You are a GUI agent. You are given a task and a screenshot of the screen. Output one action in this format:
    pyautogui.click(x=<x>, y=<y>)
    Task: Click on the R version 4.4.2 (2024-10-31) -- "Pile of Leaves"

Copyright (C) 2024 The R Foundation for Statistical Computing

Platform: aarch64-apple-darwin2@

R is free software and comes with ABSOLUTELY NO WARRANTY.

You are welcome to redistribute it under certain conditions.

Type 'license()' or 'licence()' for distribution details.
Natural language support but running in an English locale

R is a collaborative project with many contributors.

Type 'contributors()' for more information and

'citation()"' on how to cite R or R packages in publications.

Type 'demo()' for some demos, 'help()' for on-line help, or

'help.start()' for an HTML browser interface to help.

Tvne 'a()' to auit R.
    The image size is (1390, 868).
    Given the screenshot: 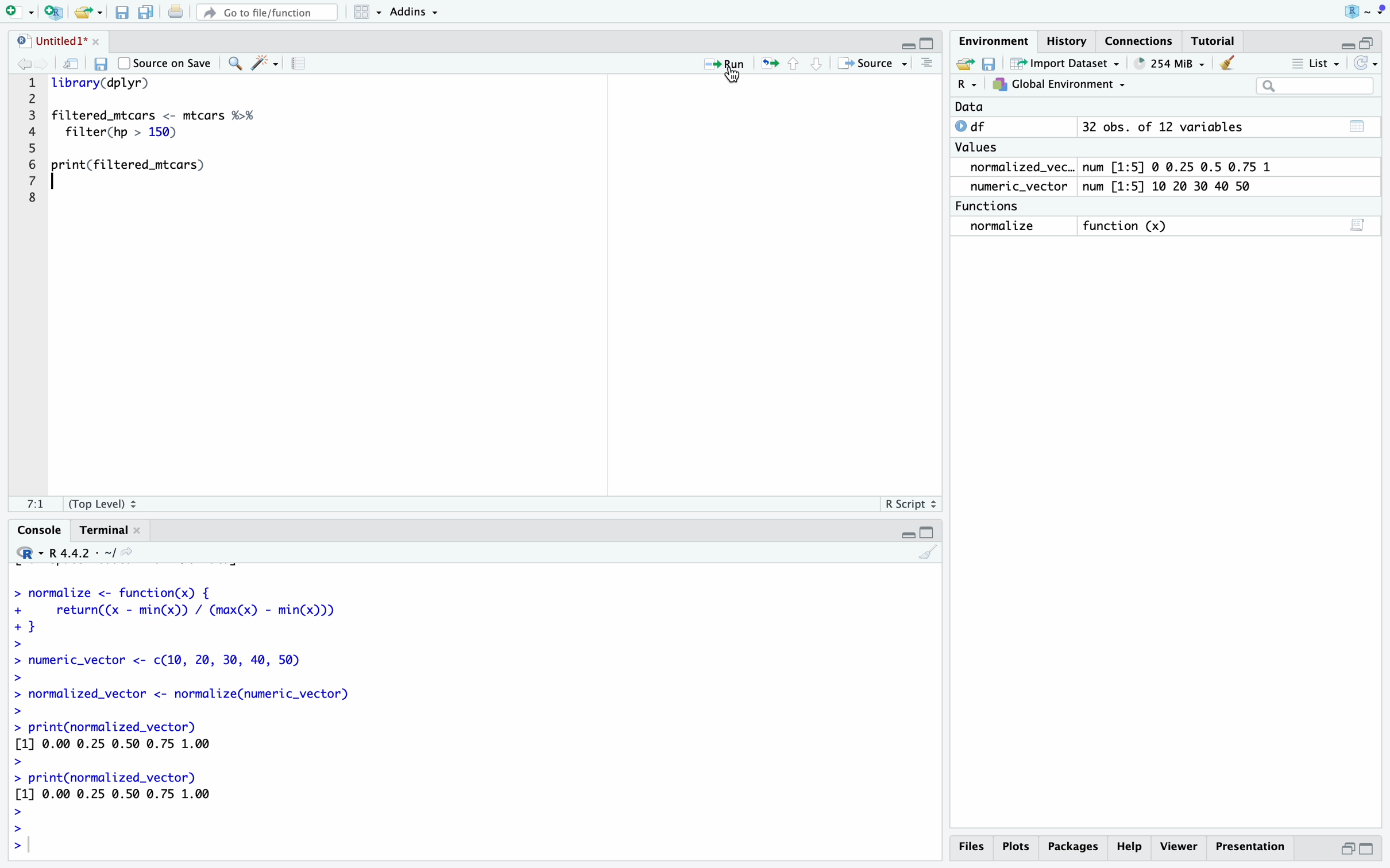 What is the action you would take?
    pyautogui.click(x=228, y=721)
    